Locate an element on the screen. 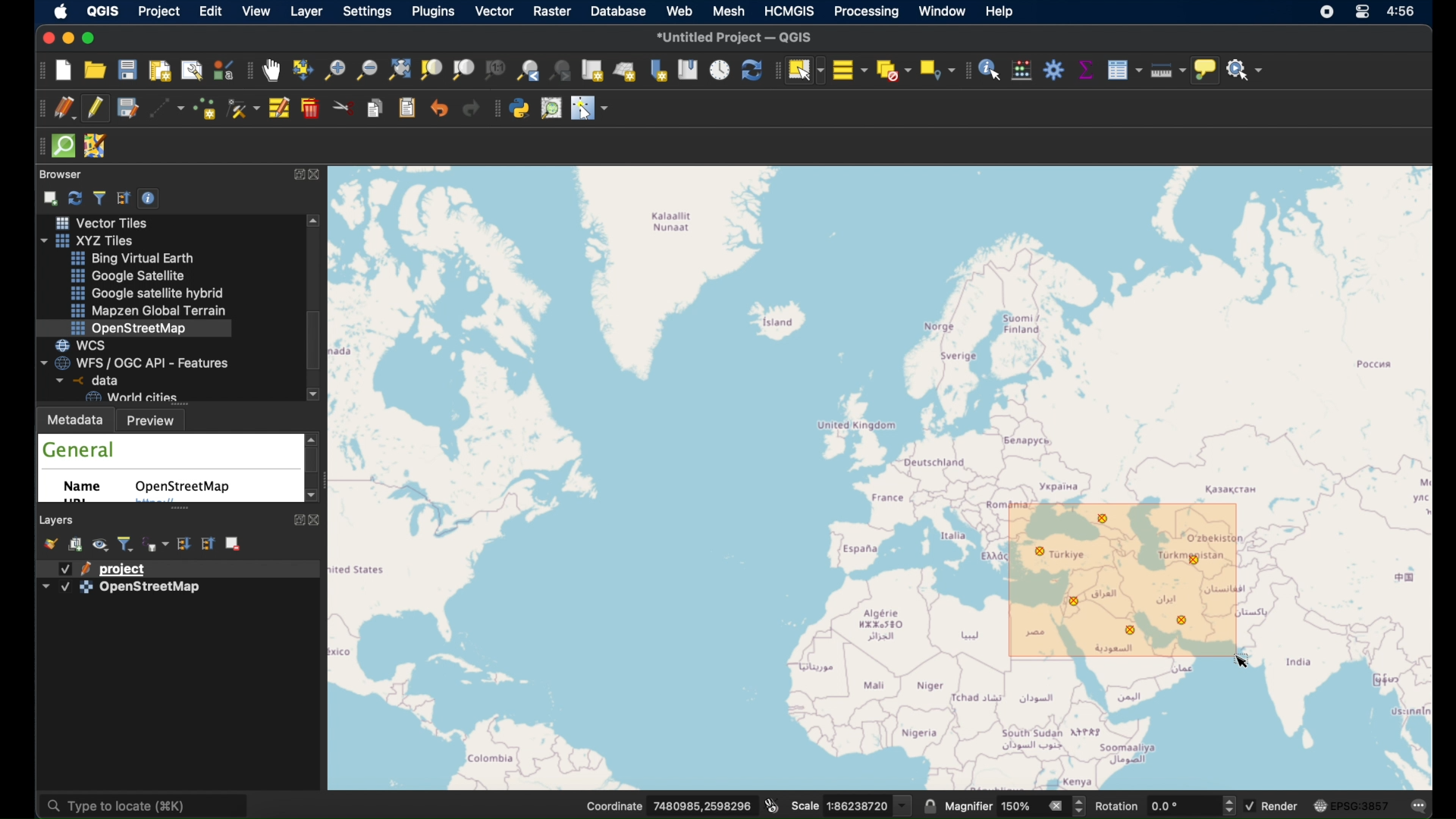  new project is located at coordinates (64, 72).